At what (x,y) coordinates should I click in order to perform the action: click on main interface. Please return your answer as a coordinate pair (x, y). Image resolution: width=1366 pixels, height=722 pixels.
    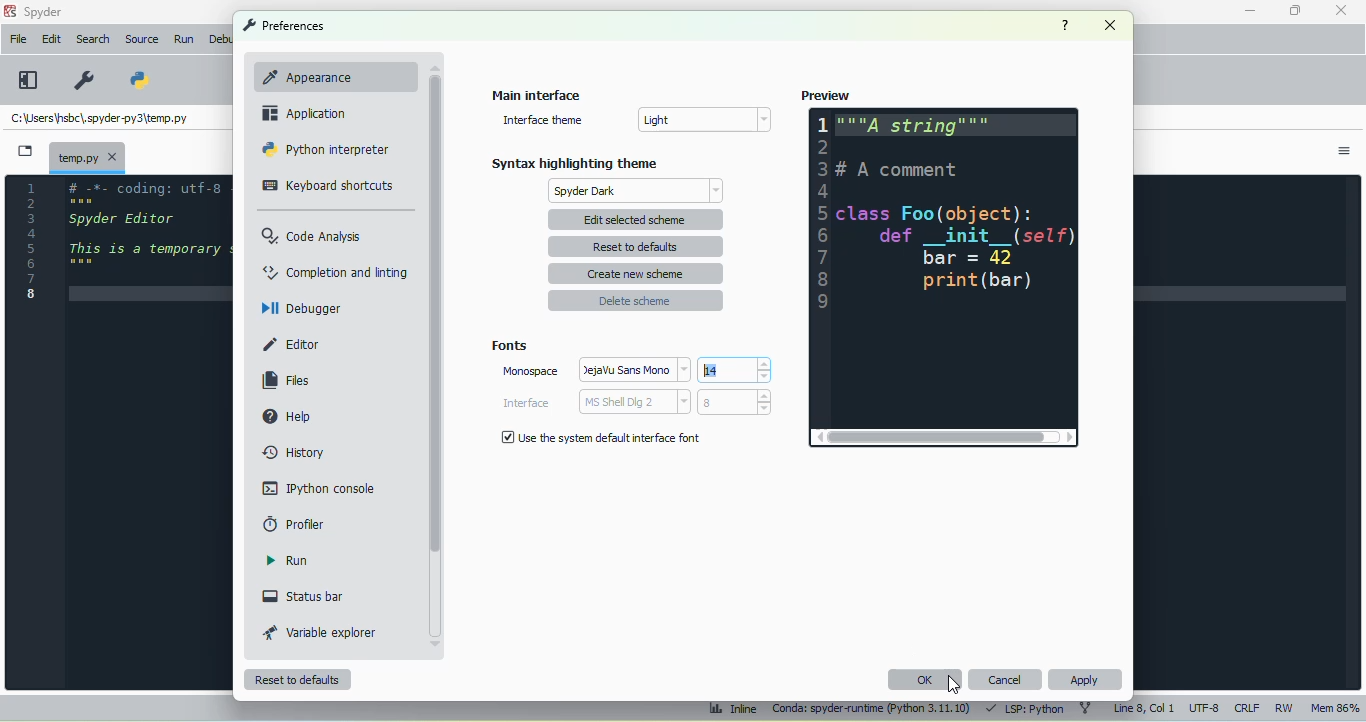
    Looking at the image, I should click on (537, 94).